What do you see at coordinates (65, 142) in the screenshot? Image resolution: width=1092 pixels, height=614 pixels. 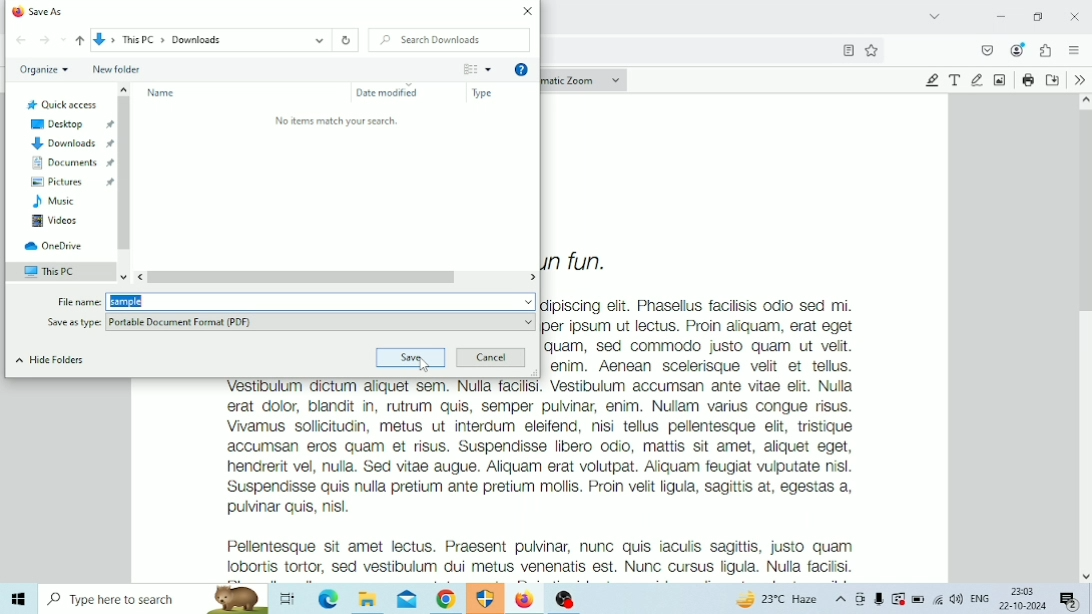 I see `Downloads` at bounding box center [65, 142].